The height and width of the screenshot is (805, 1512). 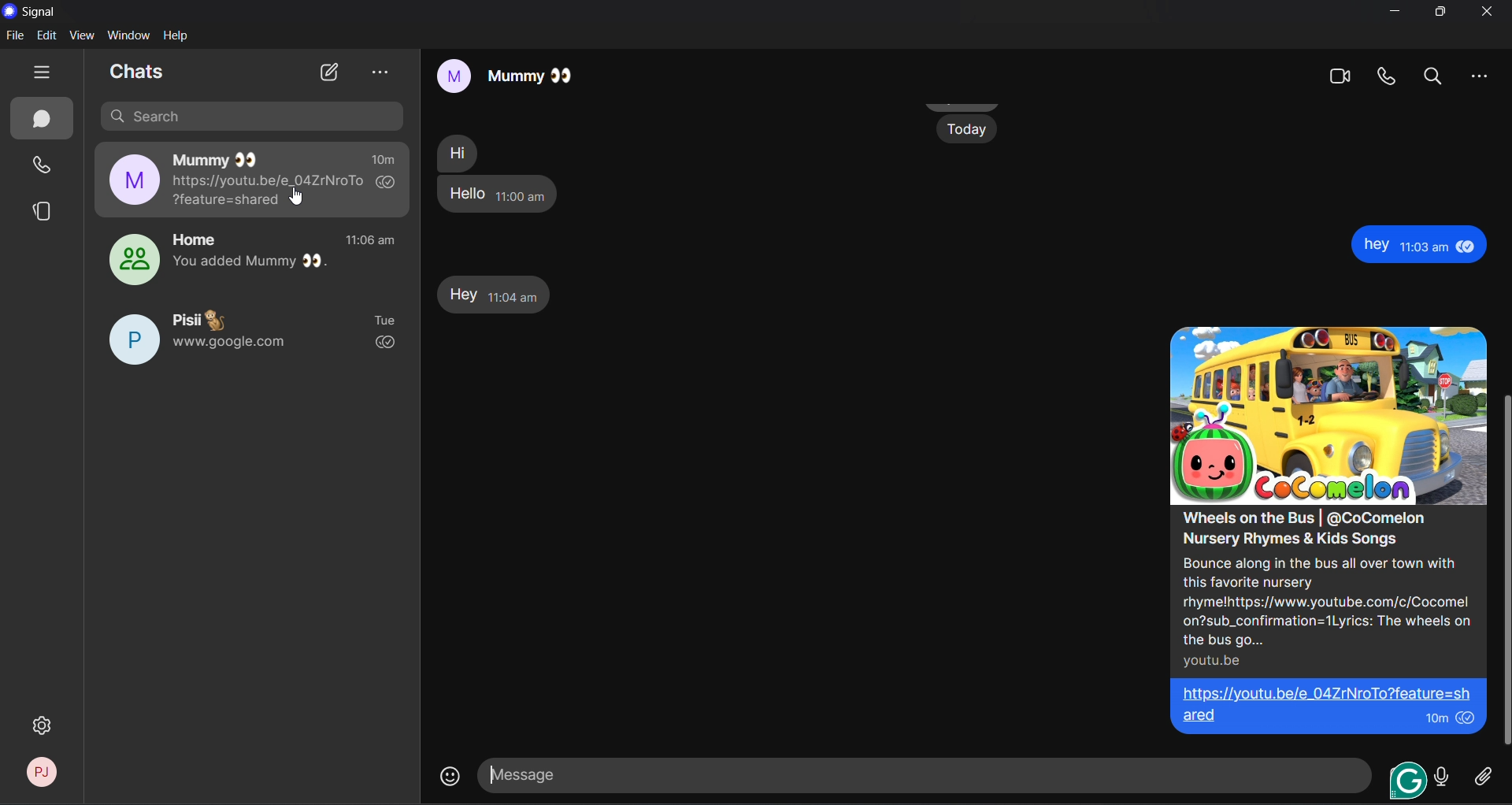 What do you see at coordinates (382, 73) in the screenshot?
I see `view archieve` at bounding box center [382, 73].